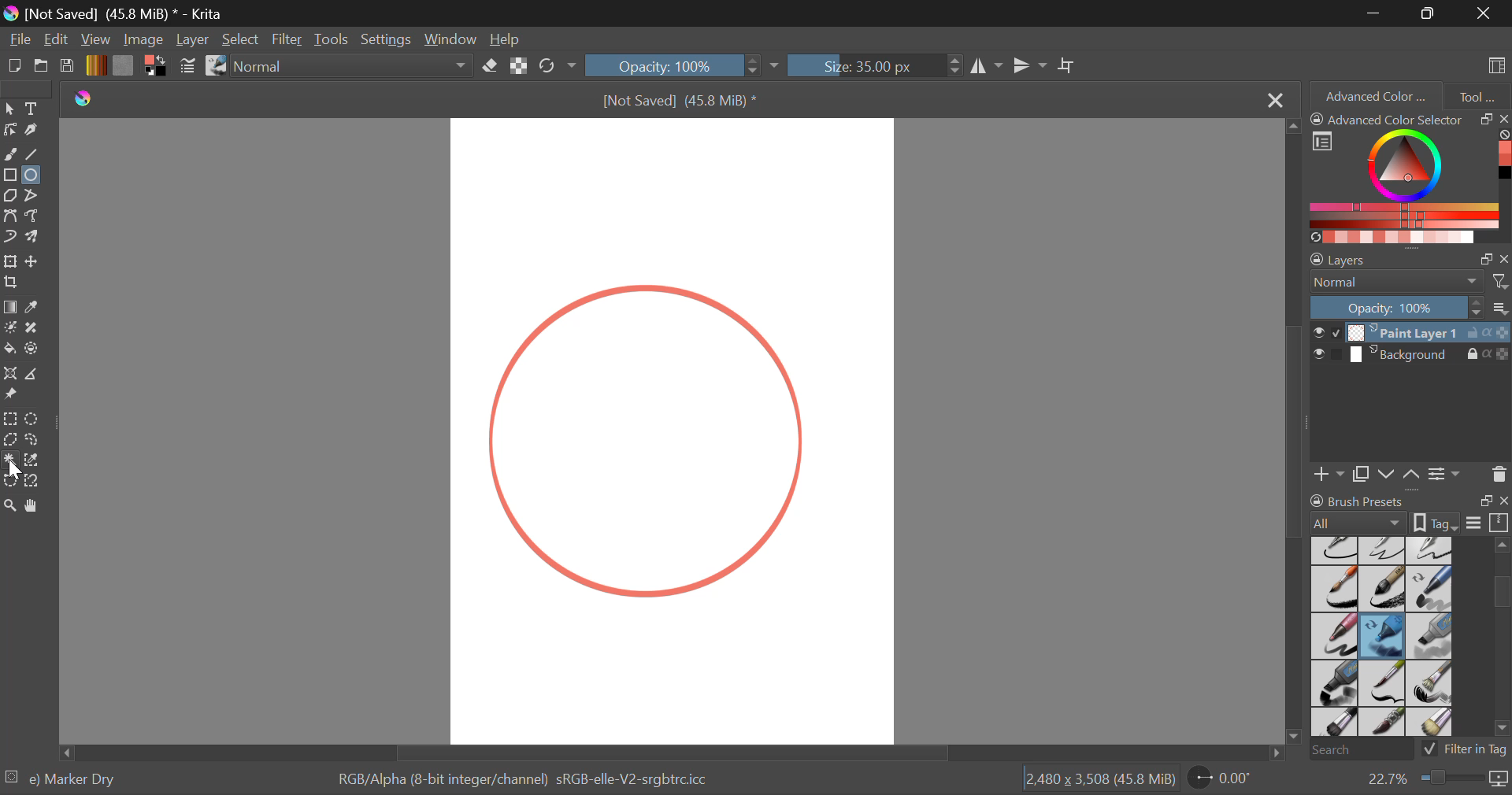  What do you see at coordinates (9, 309) in the screenshot?
I see `Gradient Fill` at bounding box center [9, 309].